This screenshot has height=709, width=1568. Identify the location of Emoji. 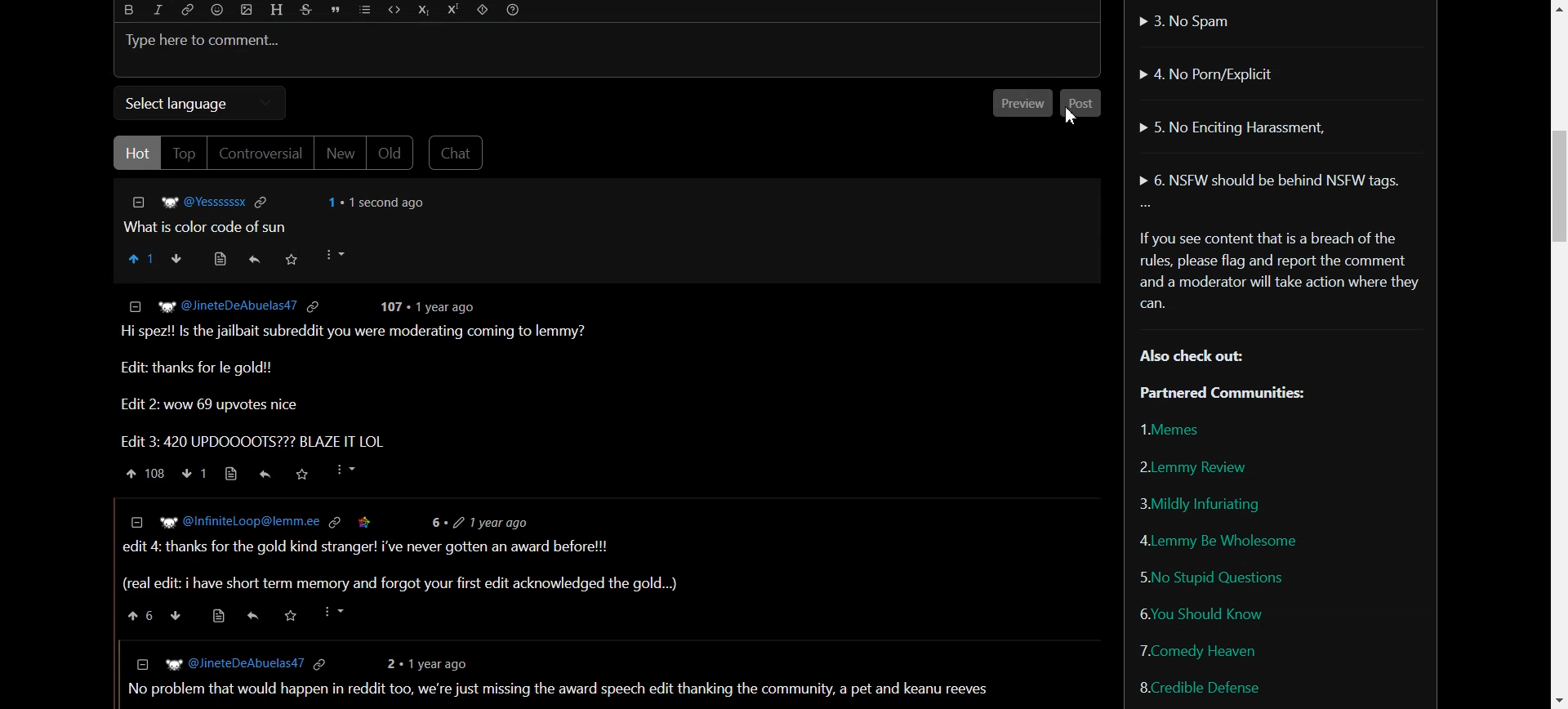
(216, 10).